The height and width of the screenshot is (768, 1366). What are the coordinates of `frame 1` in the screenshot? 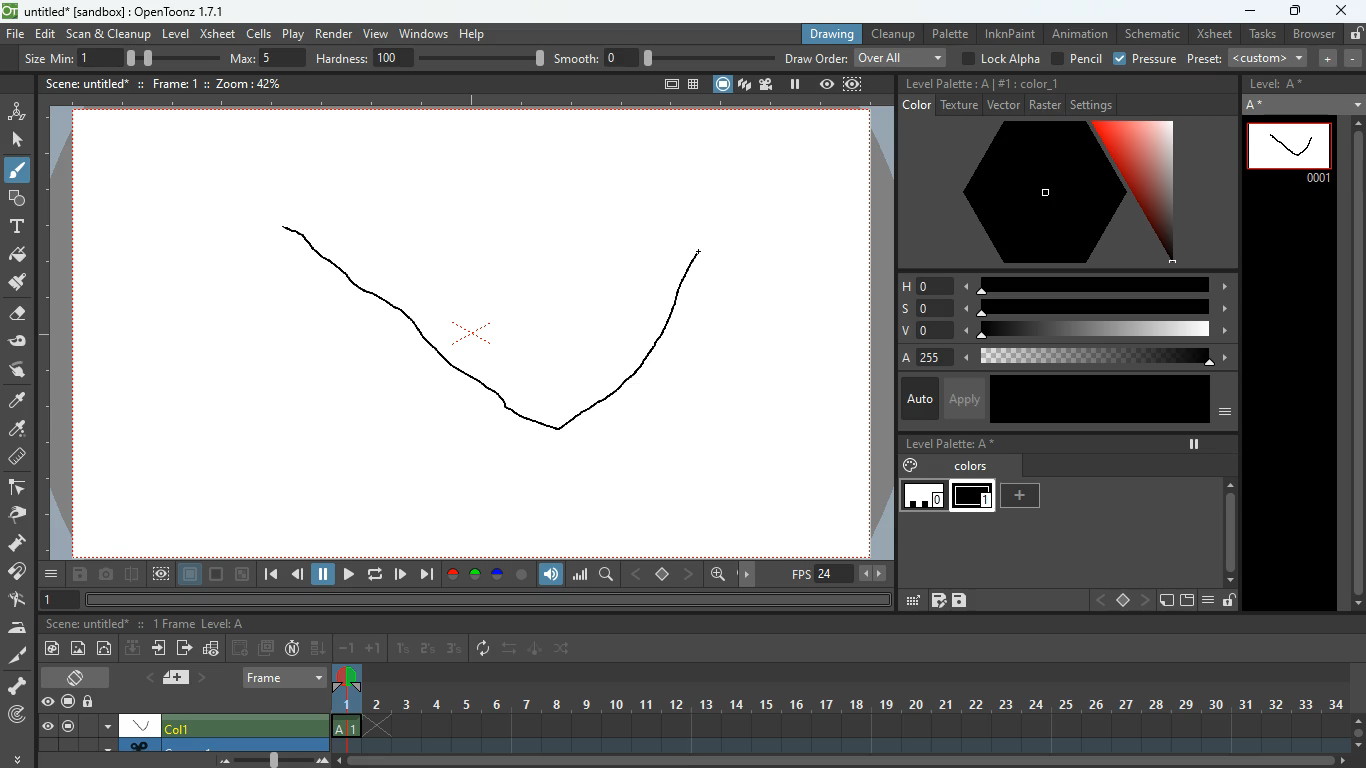 It's located at (973, 498).